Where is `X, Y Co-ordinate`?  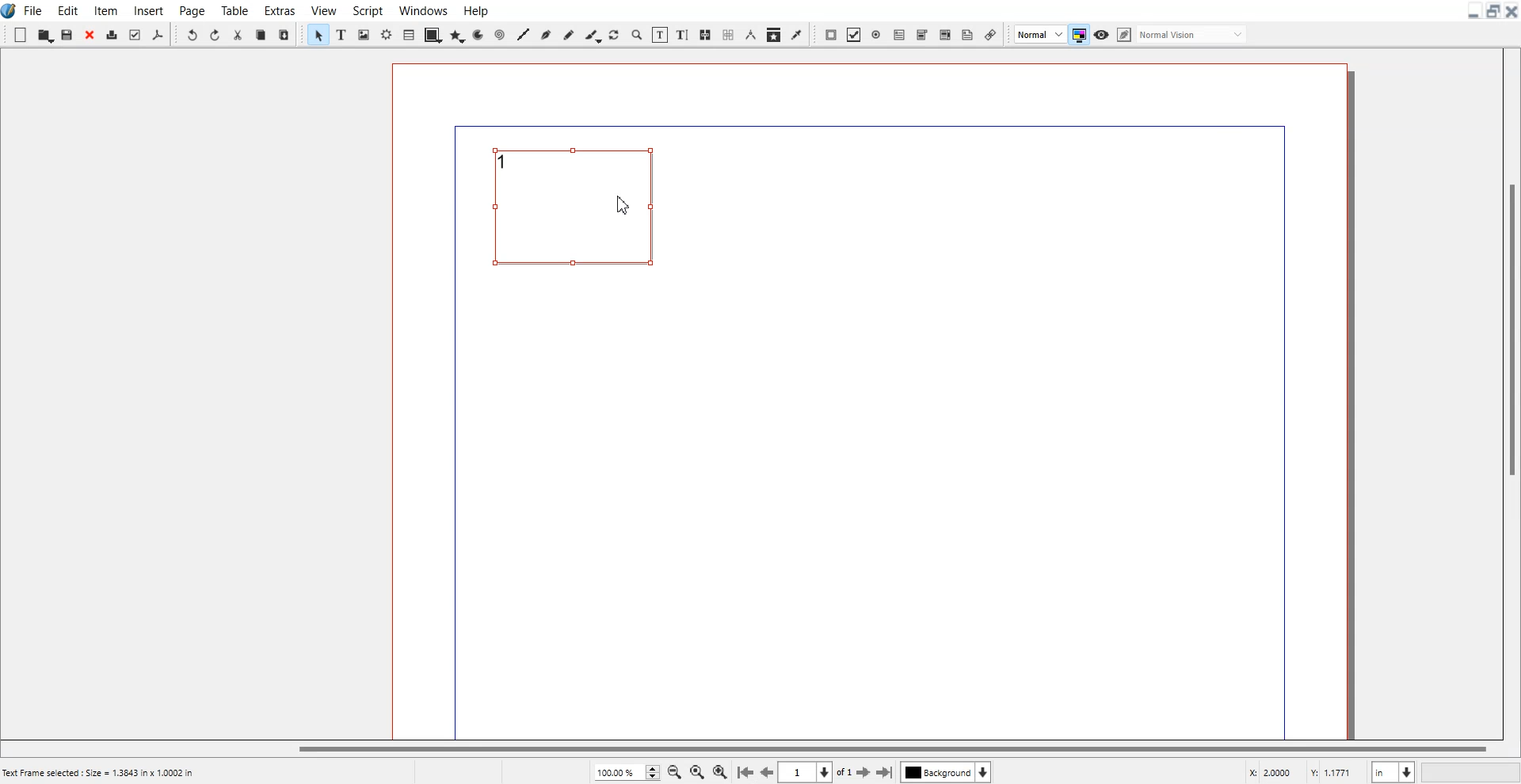 X, Y Co-ordinate is located at coordinates (1303, 771).